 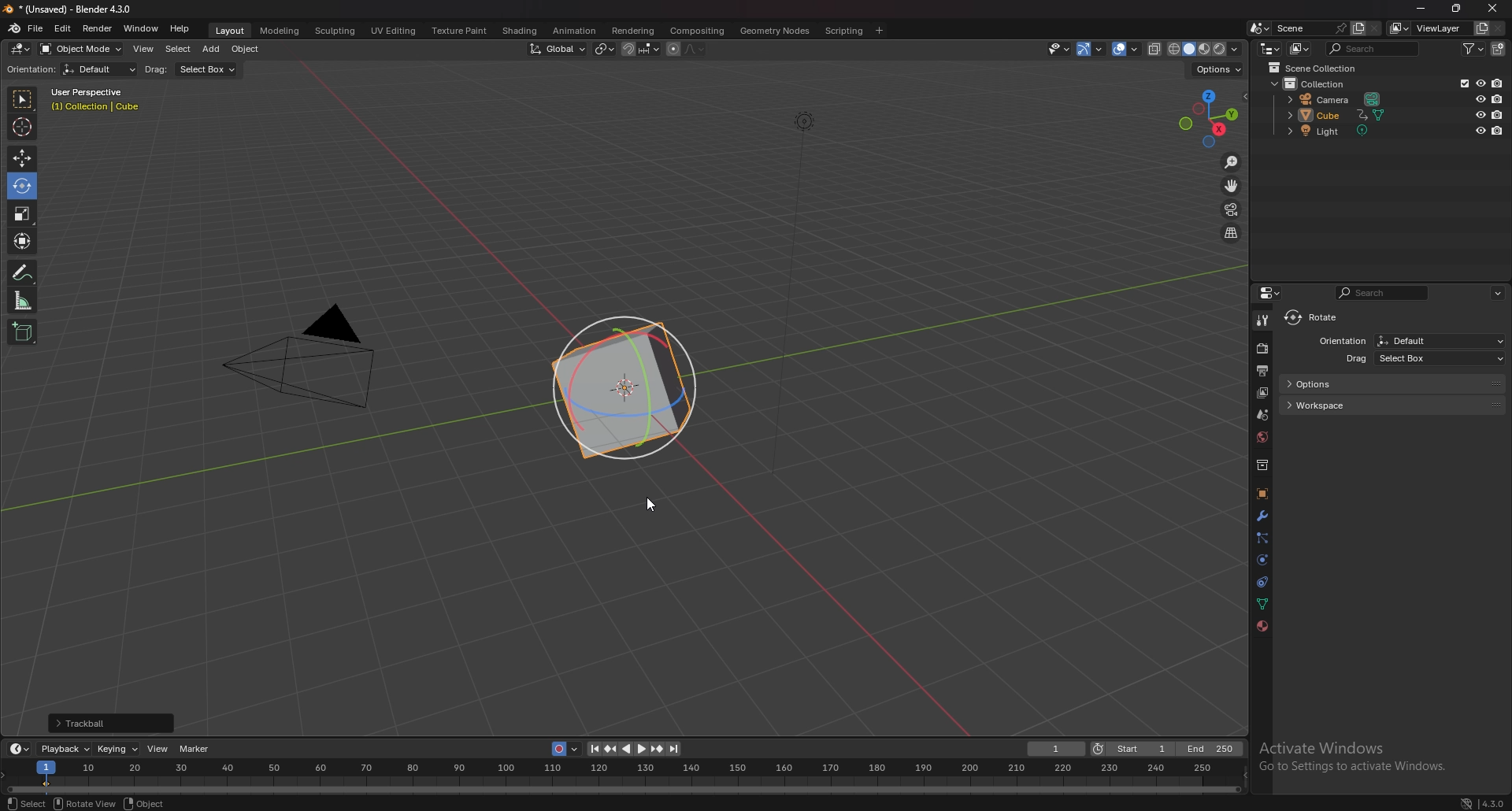 What do you see at coordinates (1480, 130) in the screenshot?
I see `hide in view port` at bounding box center [1480, 130].